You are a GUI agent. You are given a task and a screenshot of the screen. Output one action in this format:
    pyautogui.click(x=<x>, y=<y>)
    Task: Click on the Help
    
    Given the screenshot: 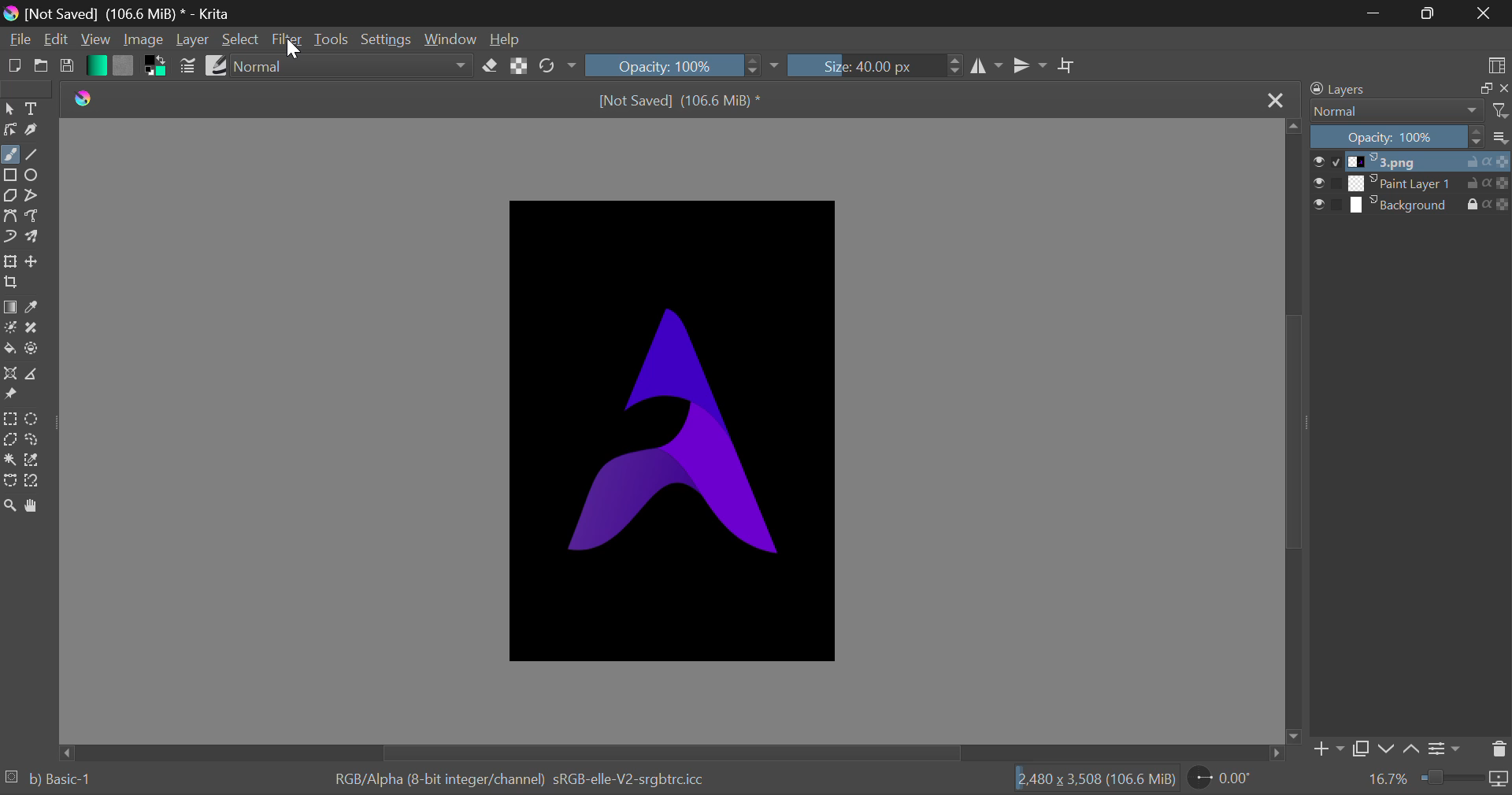 What is the action you would take?
    pyautogui.click(x=505, y=39)
    